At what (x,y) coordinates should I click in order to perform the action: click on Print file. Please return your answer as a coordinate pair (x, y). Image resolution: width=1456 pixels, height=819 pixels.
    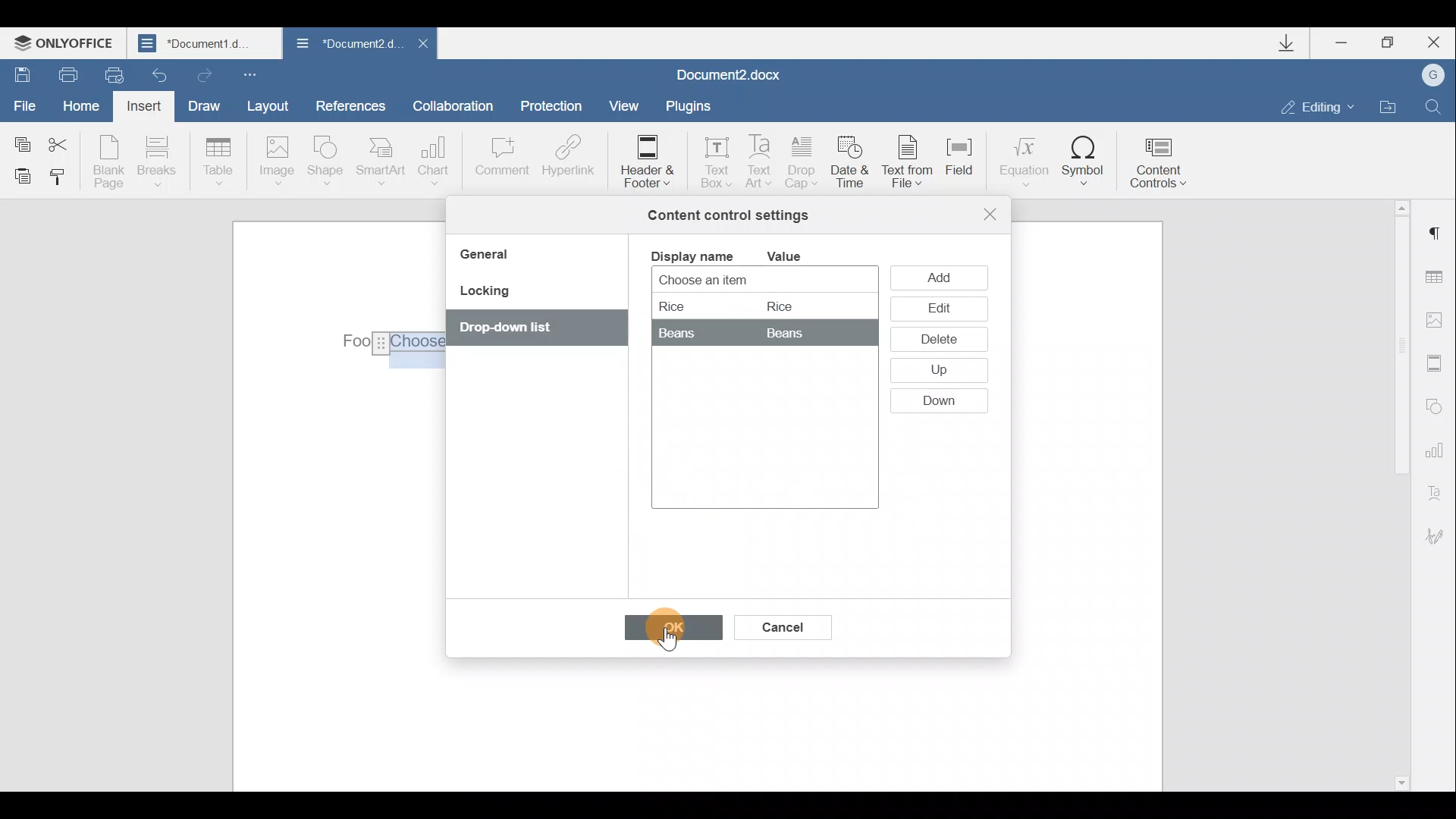
    Looking at the image, I should click on (60, 74).